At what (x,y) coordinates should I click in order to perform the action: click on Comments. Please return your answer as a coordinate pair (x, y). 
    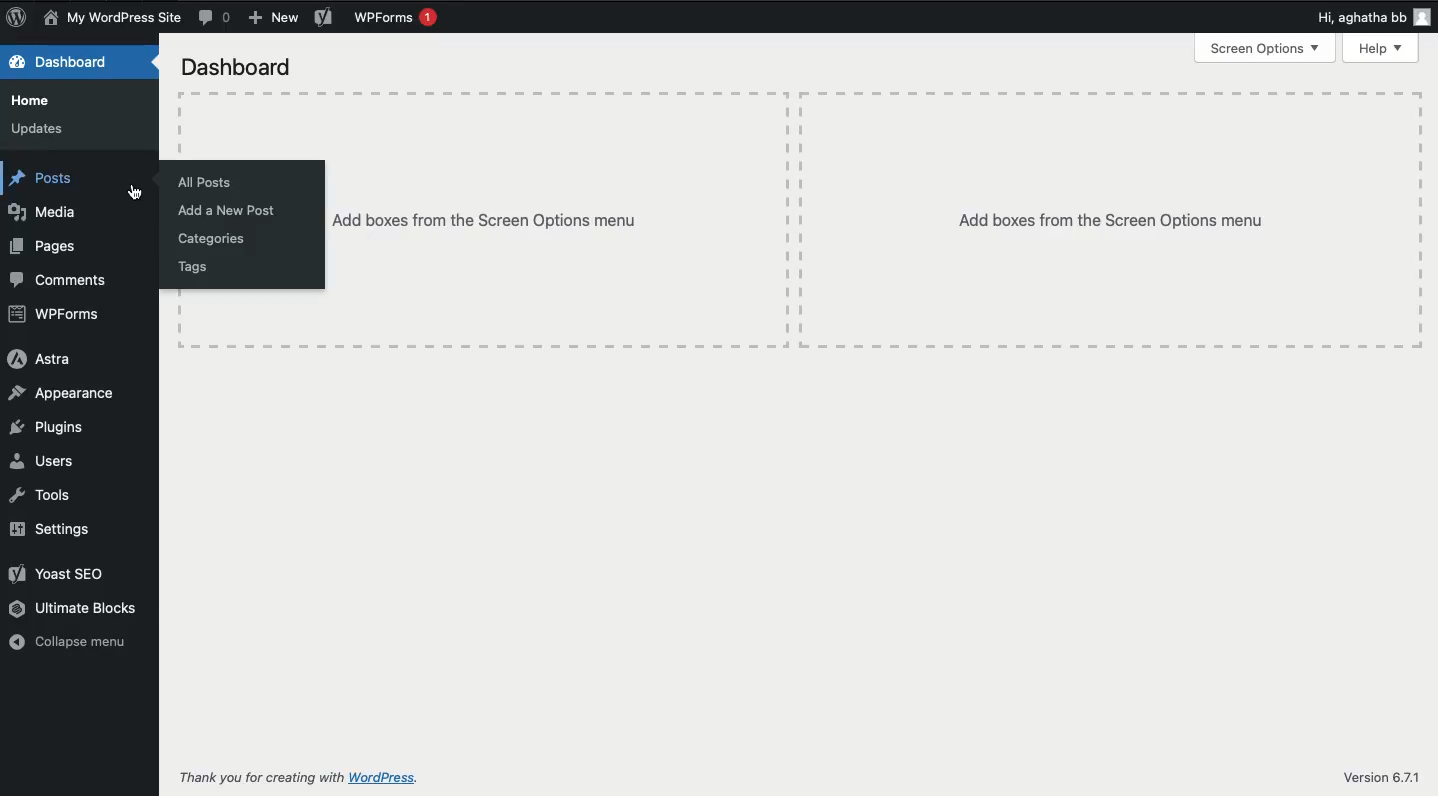
    Looking at the image, I should click on (60, 280).